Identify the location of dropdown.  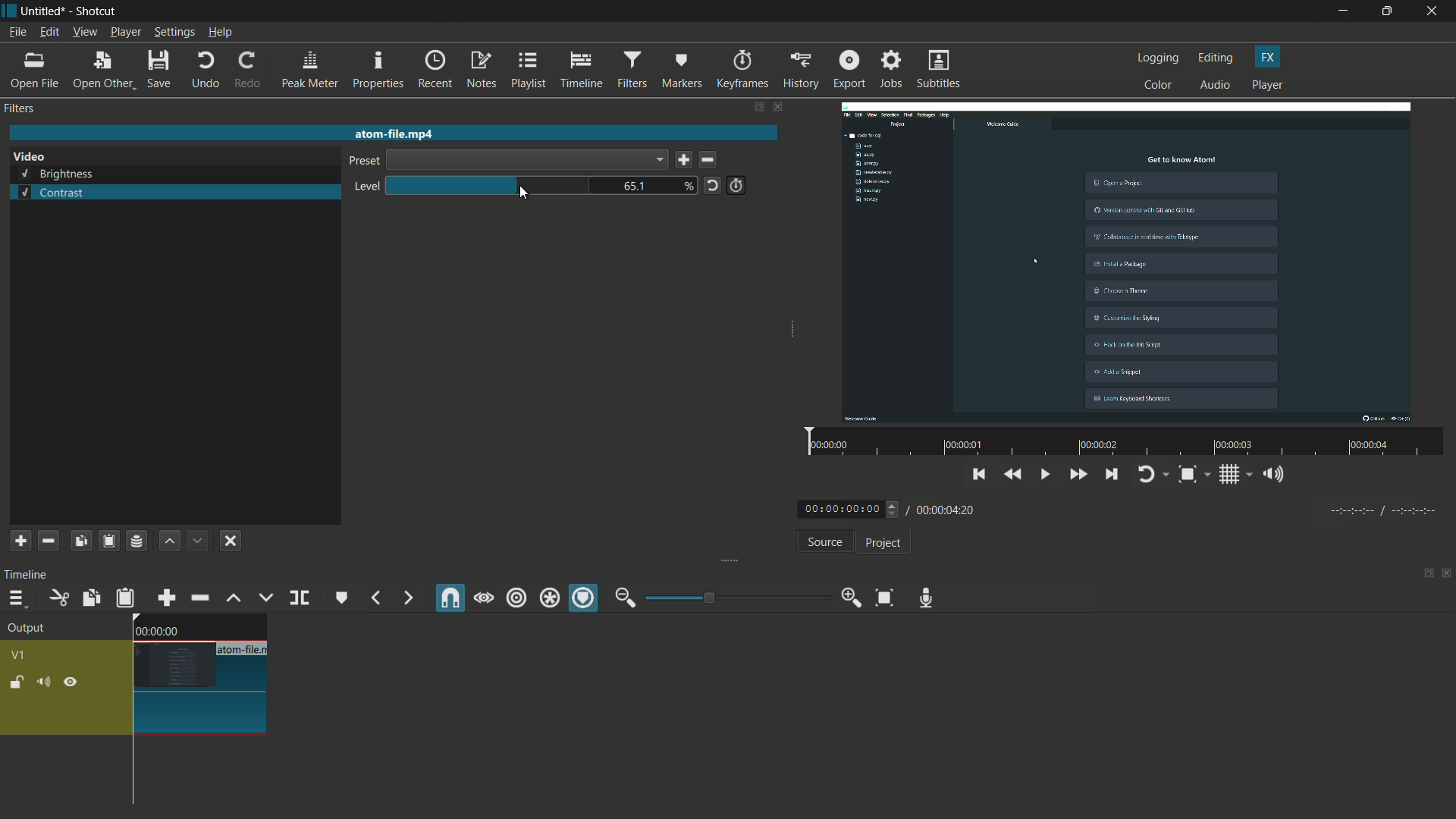
(526, 160).